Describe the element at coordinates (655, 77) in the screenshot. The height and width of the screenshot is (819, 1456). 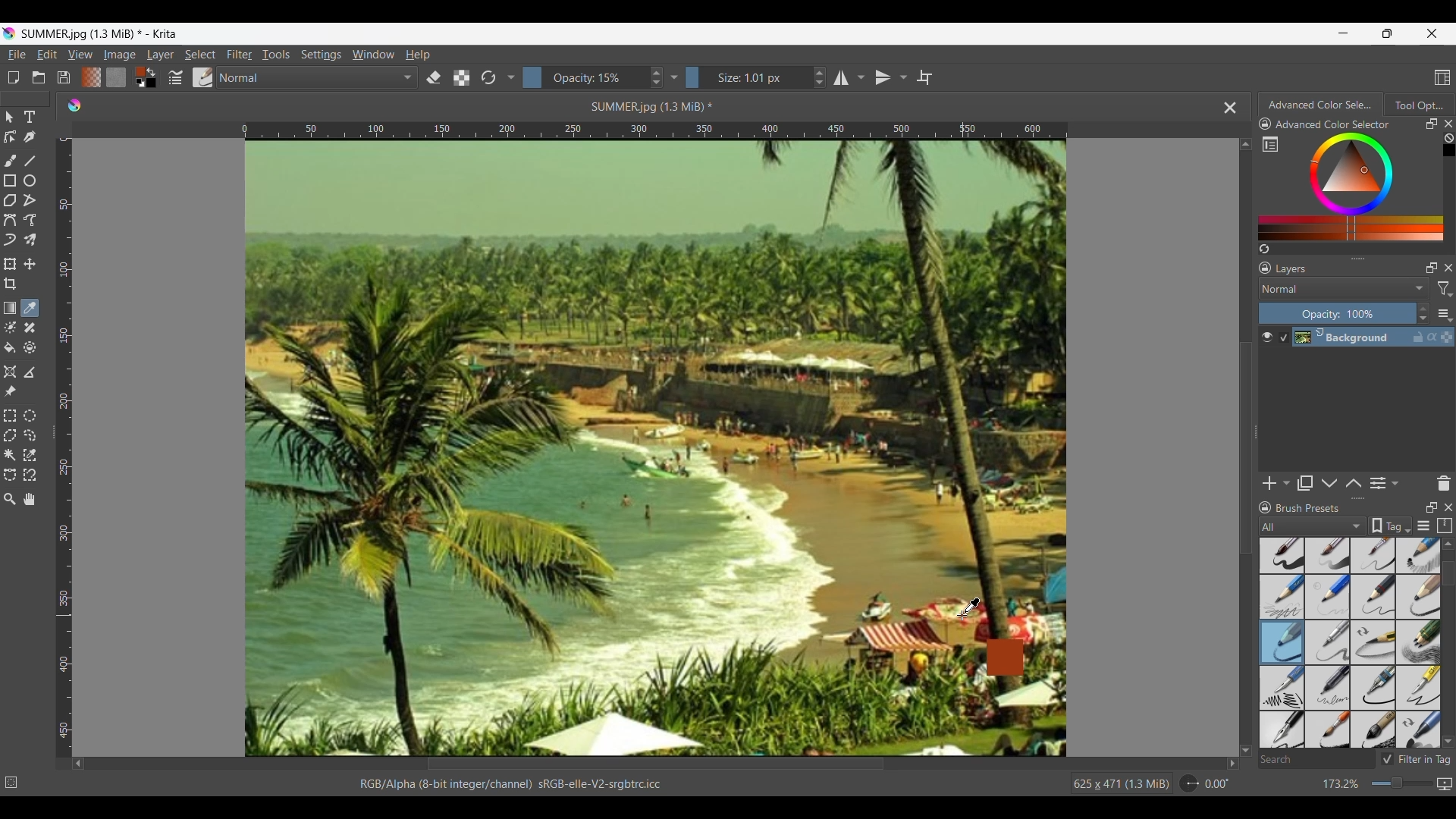
I see `Increase/Decrease Opacity` at that location.